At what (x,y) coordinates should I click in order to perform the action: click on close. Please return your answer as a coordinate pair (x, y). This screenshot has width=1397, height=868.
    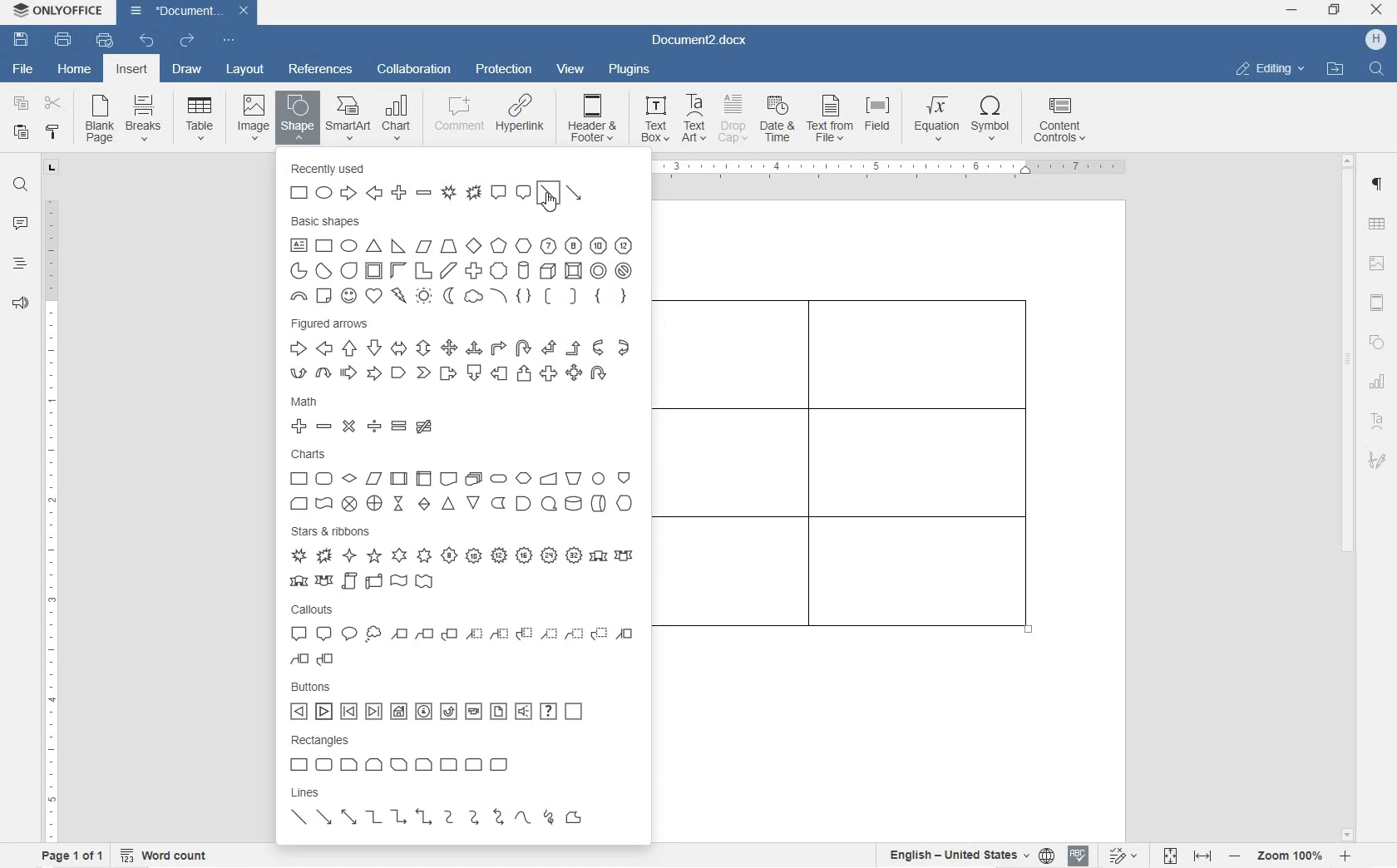
    Looking at the image, I should click on (1376, 11).